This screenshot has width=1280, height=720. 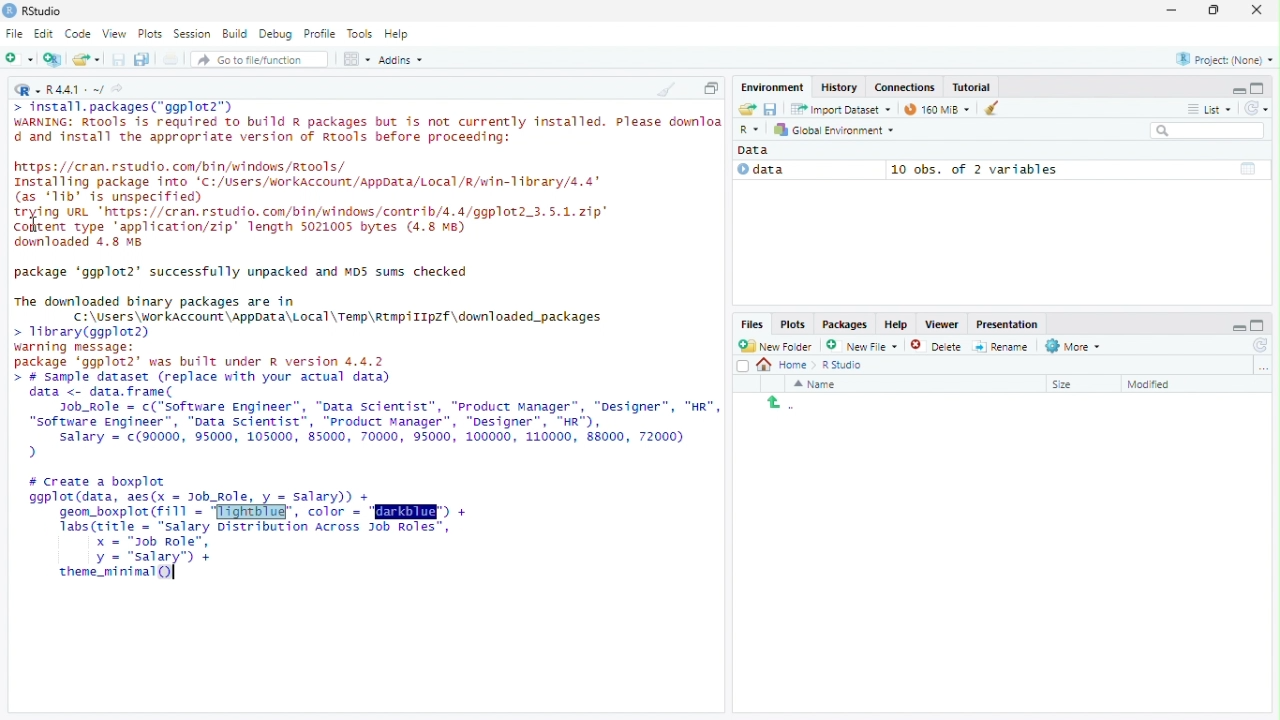 I want to click on Sort by name, so click(x=821, y=384).